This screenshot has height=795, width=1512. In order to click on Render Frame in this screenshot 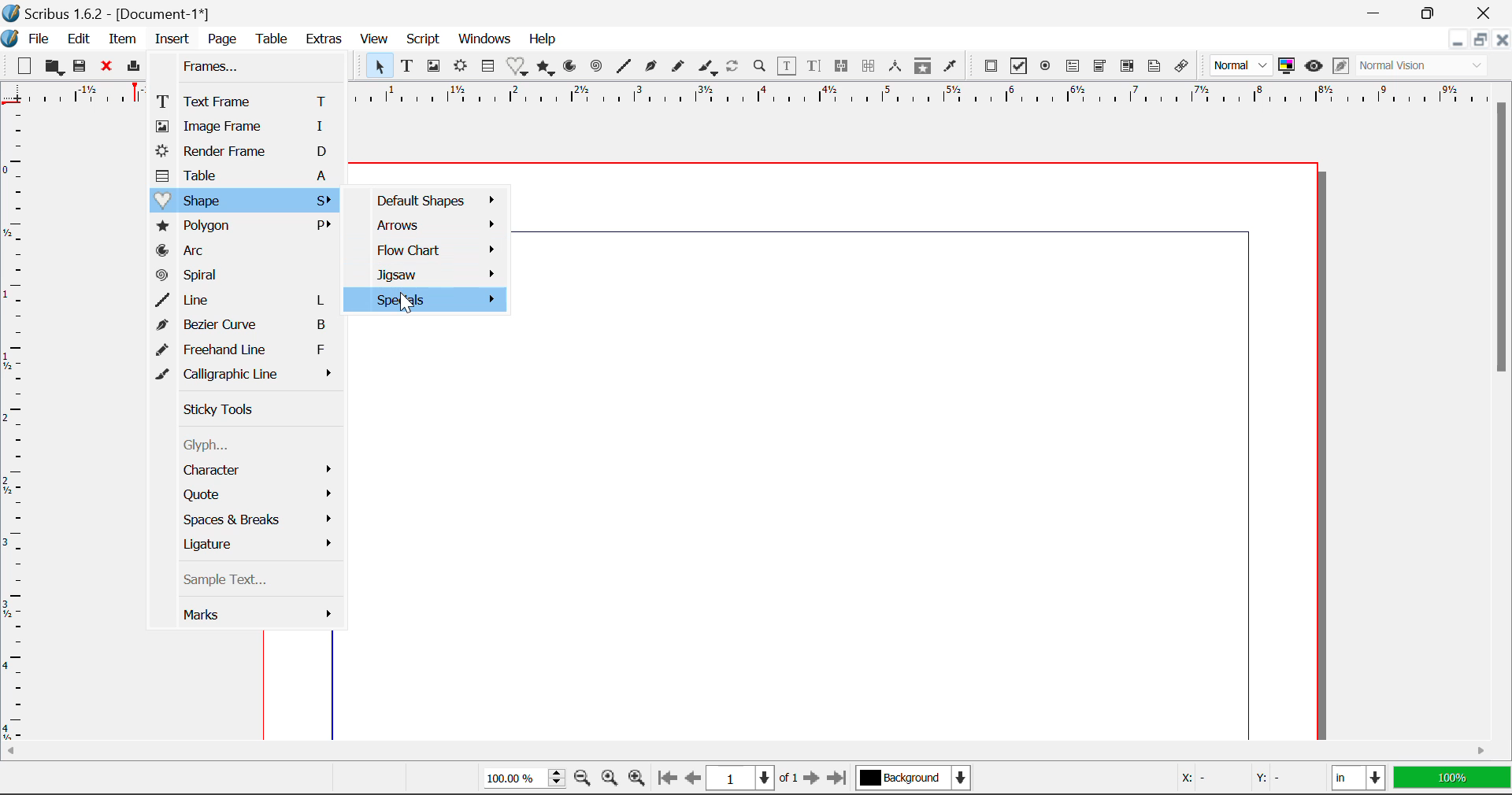, I will do `click(246, 153)`.